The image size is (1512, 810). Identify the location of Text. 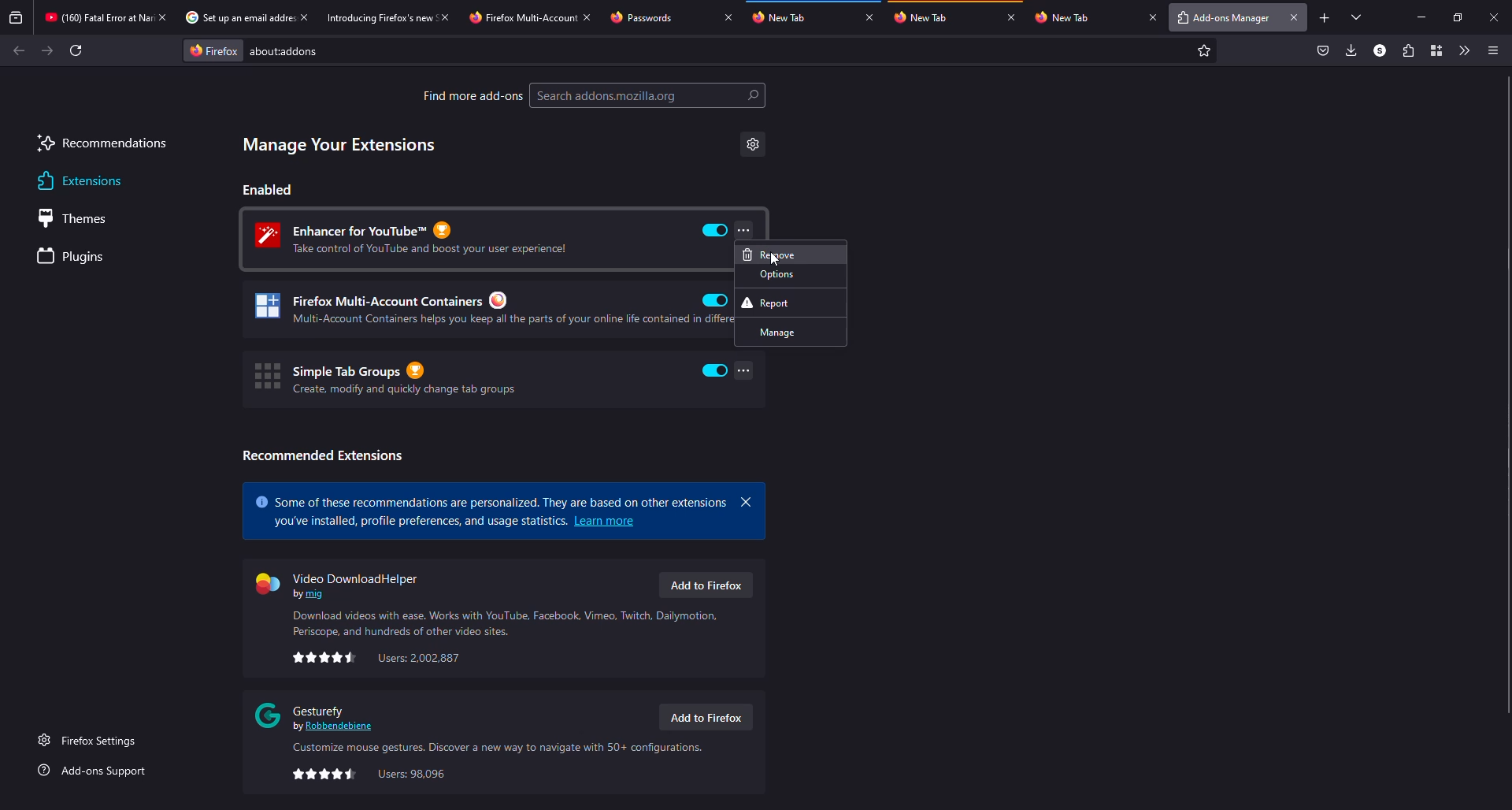
(418, 522).